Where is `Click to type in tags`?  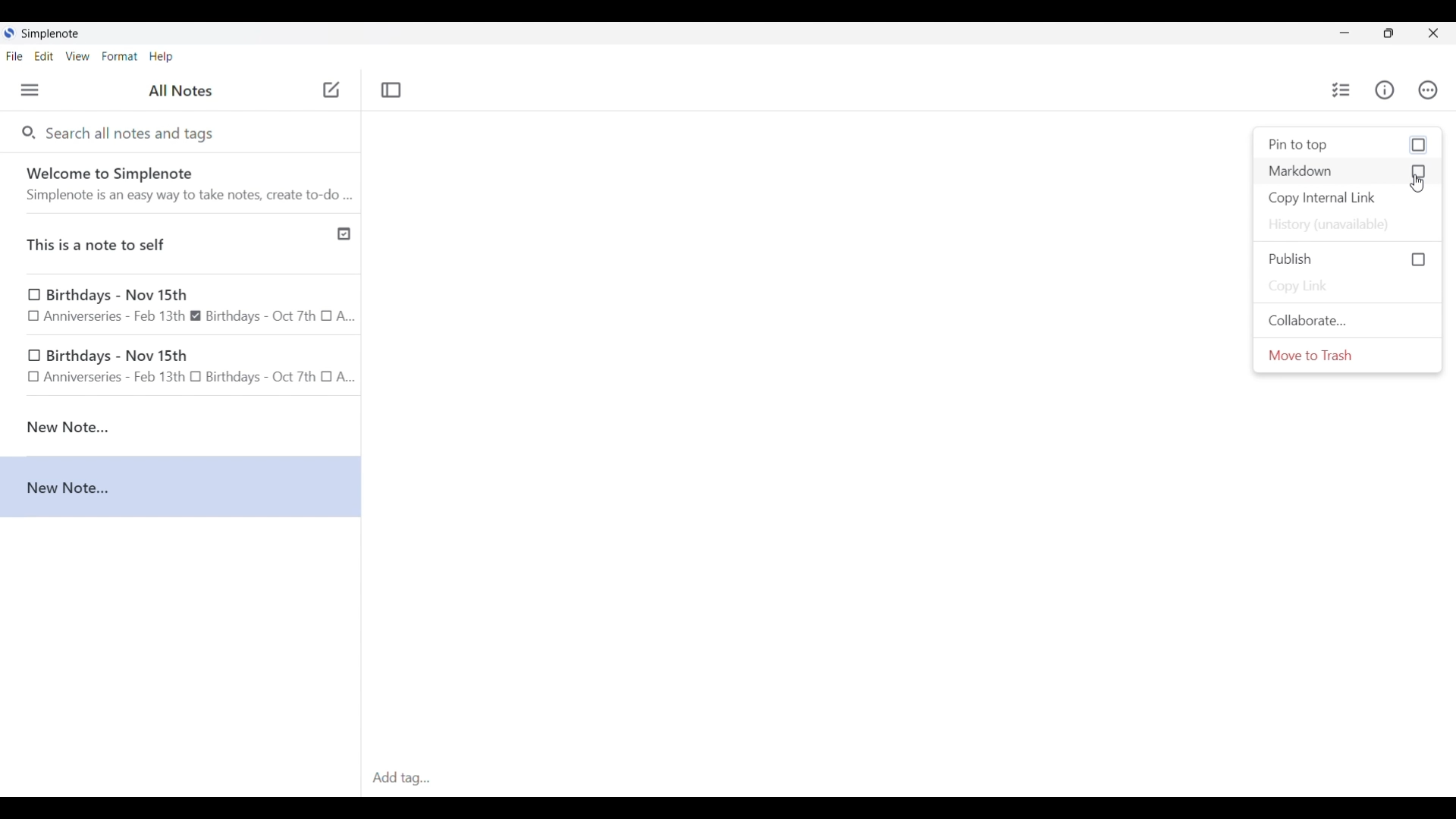
Click to type in tags is located at coordinates (908, 779).